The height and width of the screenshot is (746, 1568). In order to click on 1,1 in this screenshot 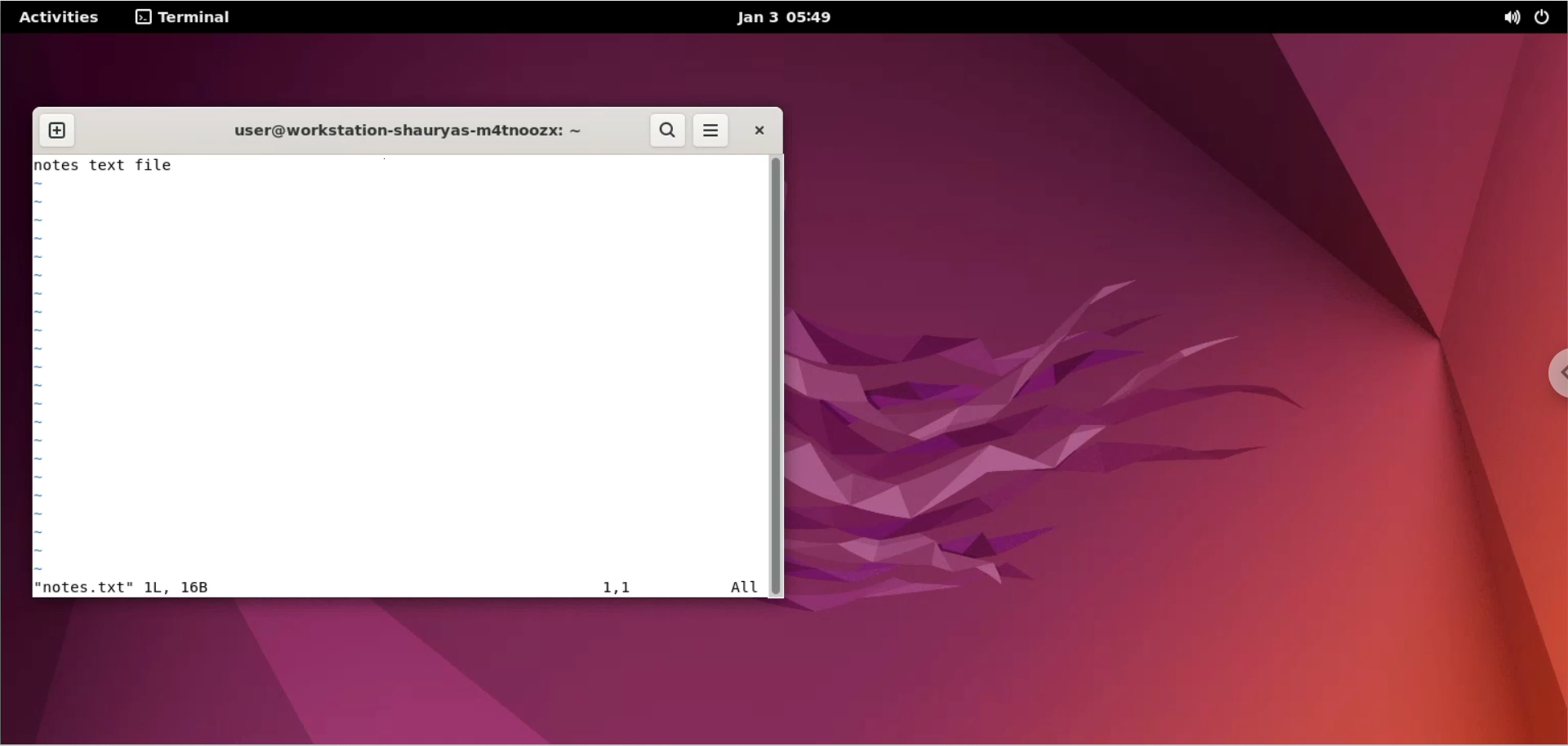, I will do `click(620, 587)`.